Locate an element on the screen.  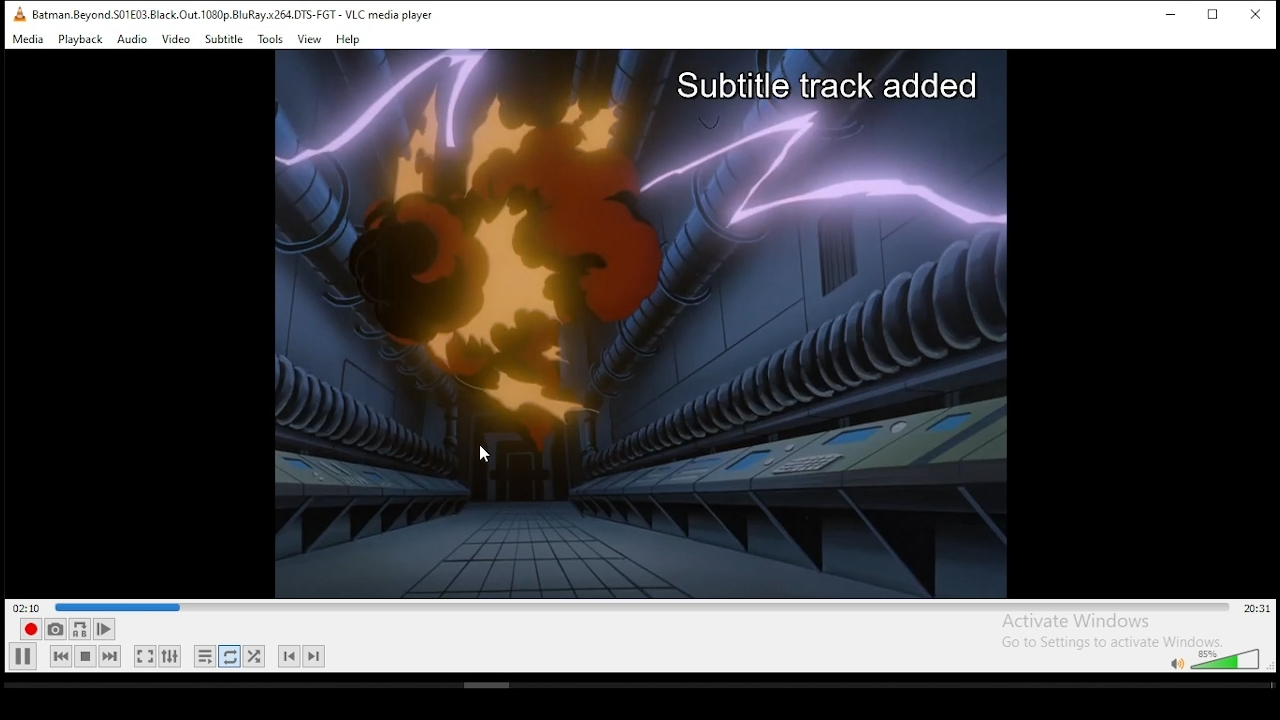
Subtitle track added is located at coordinates (832, 84).